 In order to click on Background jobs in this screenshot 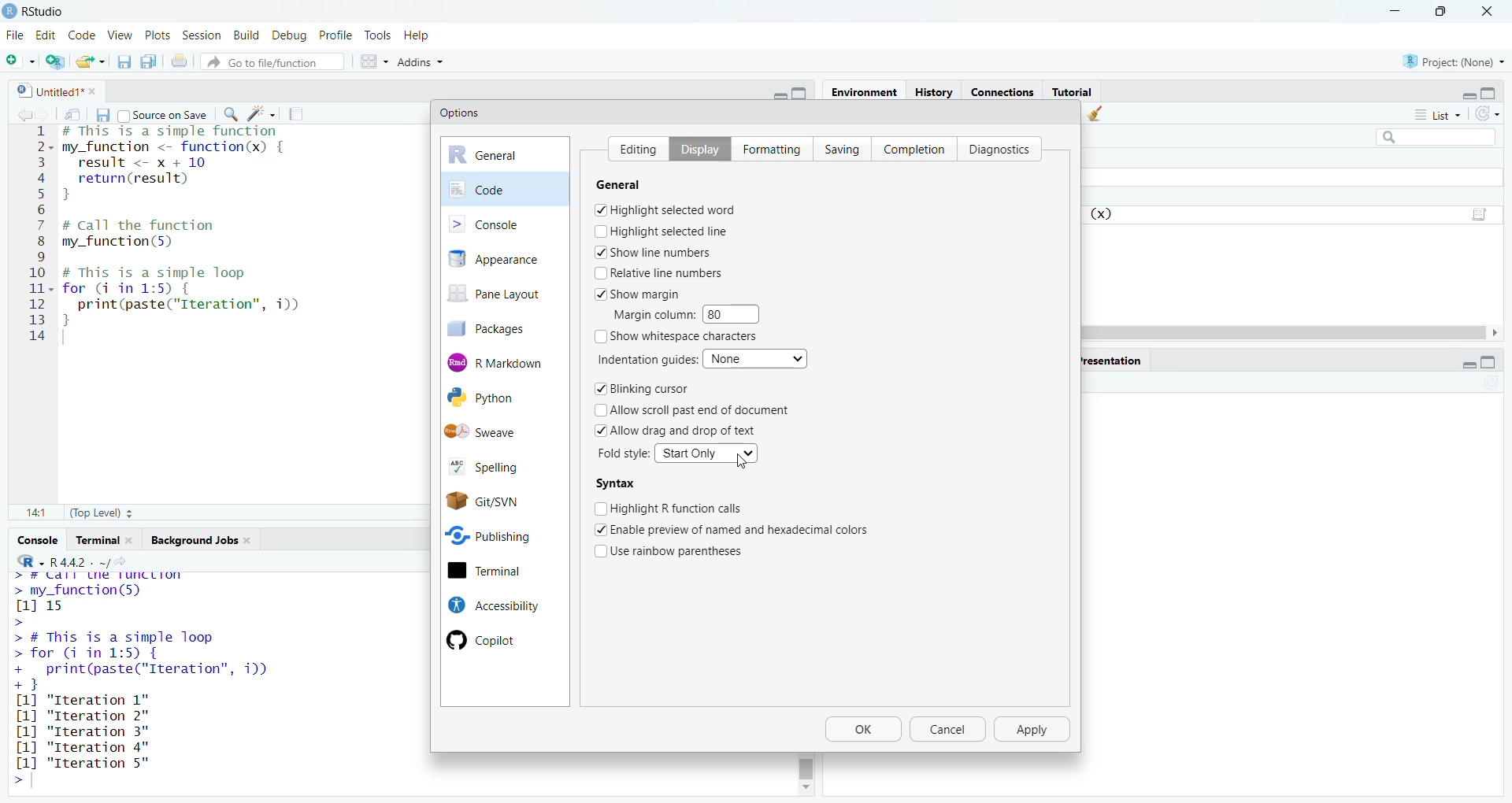, I will do `click(194, 540)`.